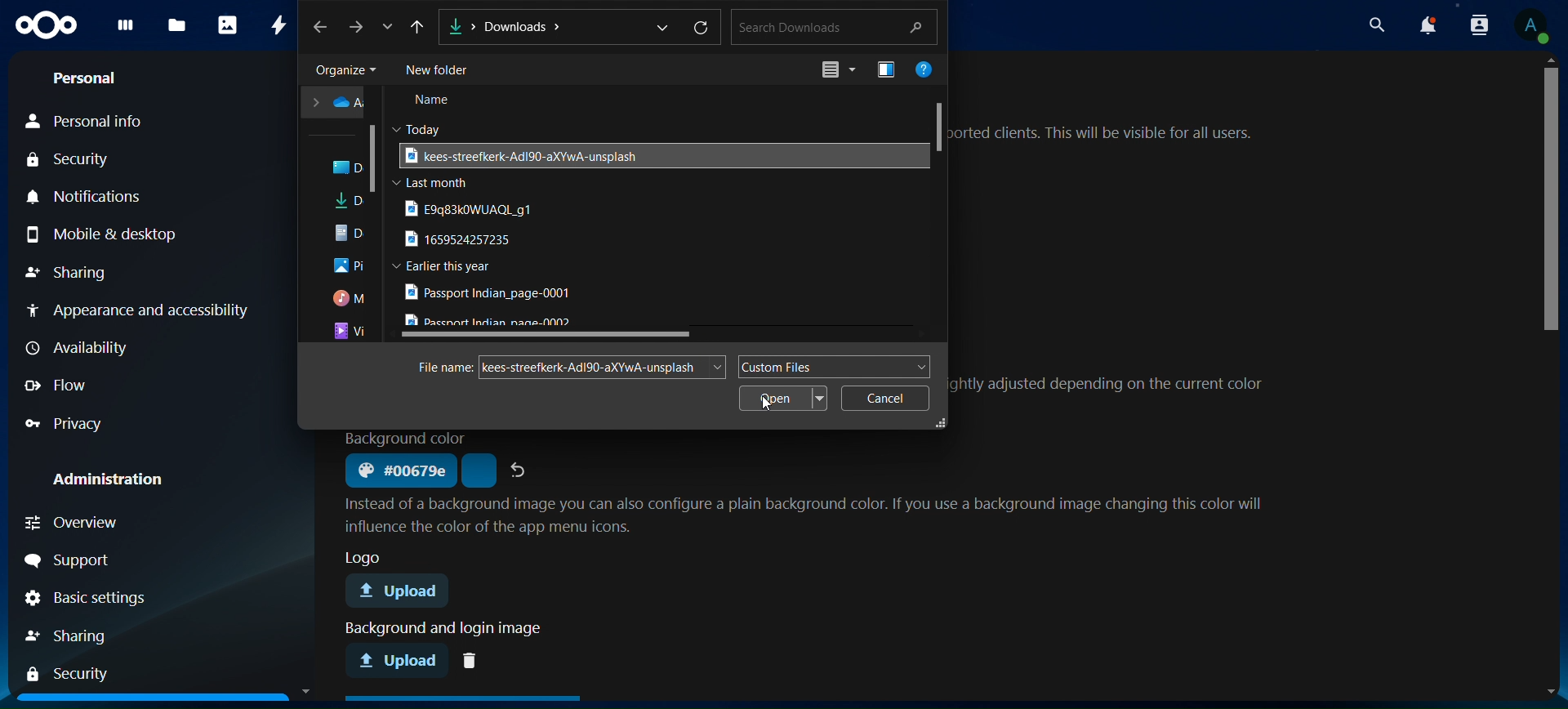 The width and height of the screenshot is (1568, 709). Describe the element at coordinates (136, 309) in the screenshot. I see `appearance and accessibility` at that location.